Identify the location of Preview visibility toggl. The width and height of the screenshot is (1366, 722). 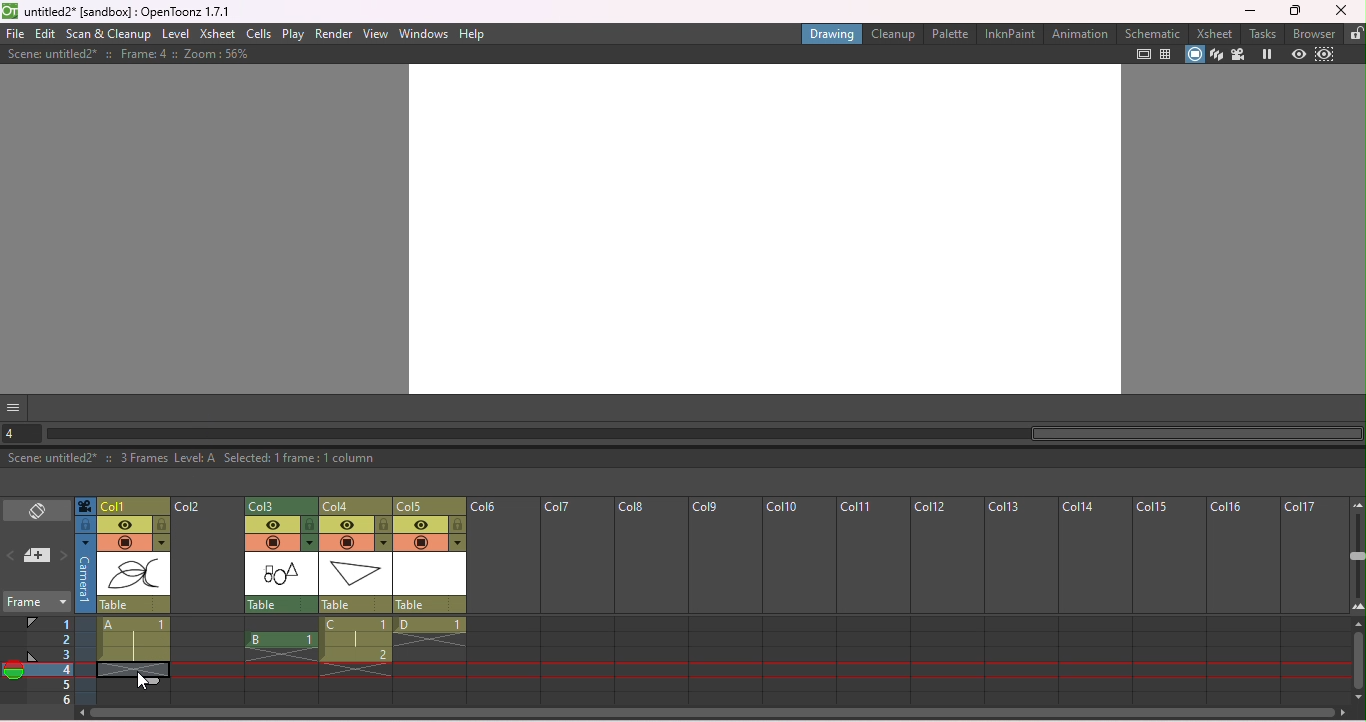
(273, 524).